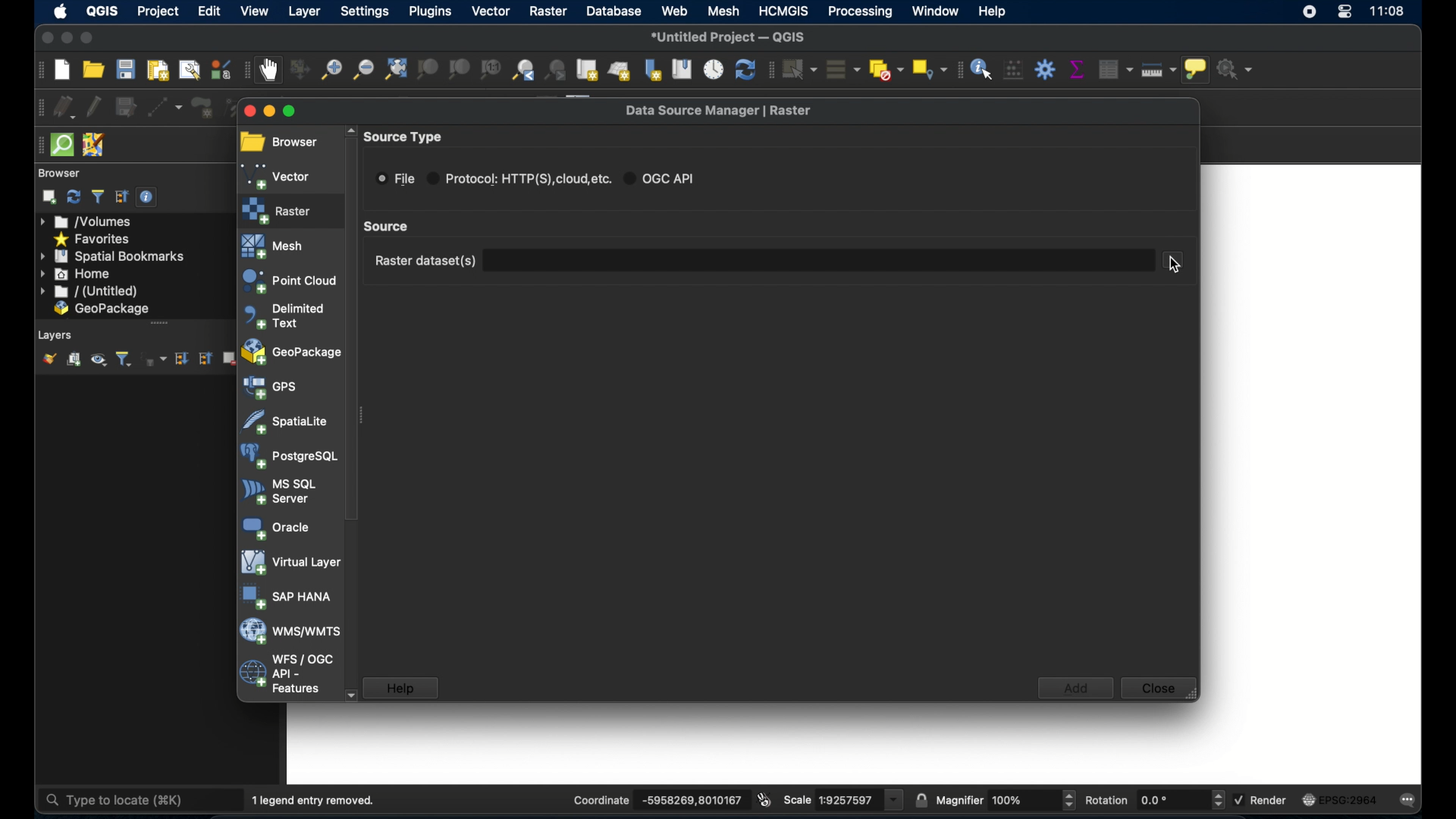 The width and height of the screenshot is (1456, 819). What do you see at coordinates (289, 350) in the screenshot?
I see `geopackage` at bounding box center [289, 350].